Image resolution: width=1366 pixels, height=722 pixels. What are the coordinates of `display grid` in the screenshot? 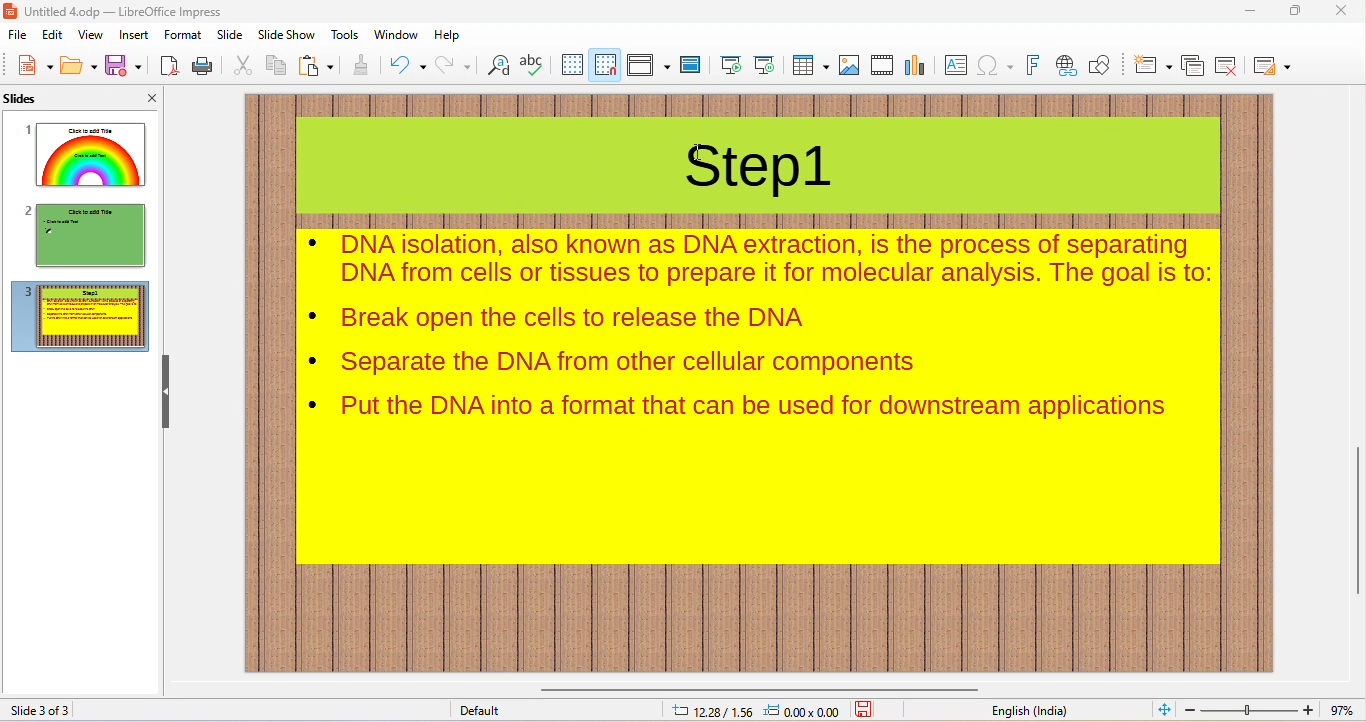 It's located at (570, 63).